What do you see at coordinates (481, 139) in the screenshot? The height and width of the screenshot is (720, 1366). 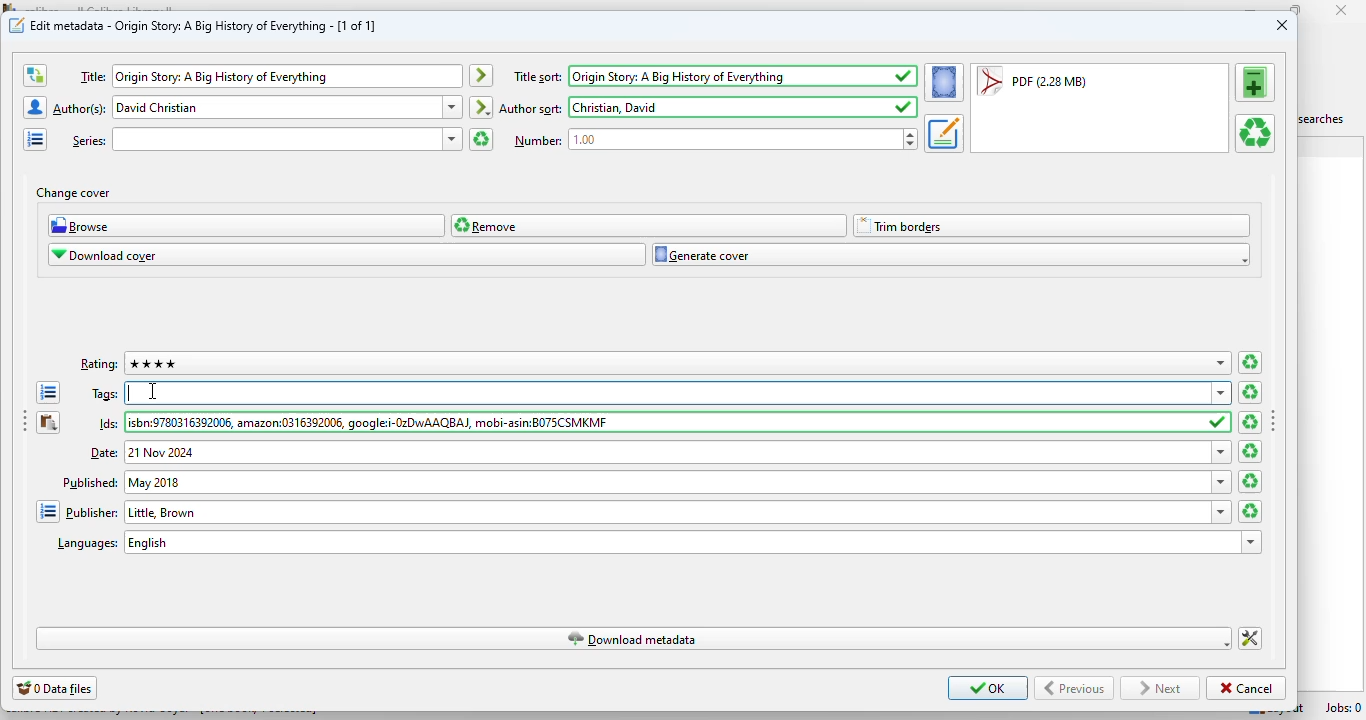 I see `clear series` at bounding box center [481, 139].